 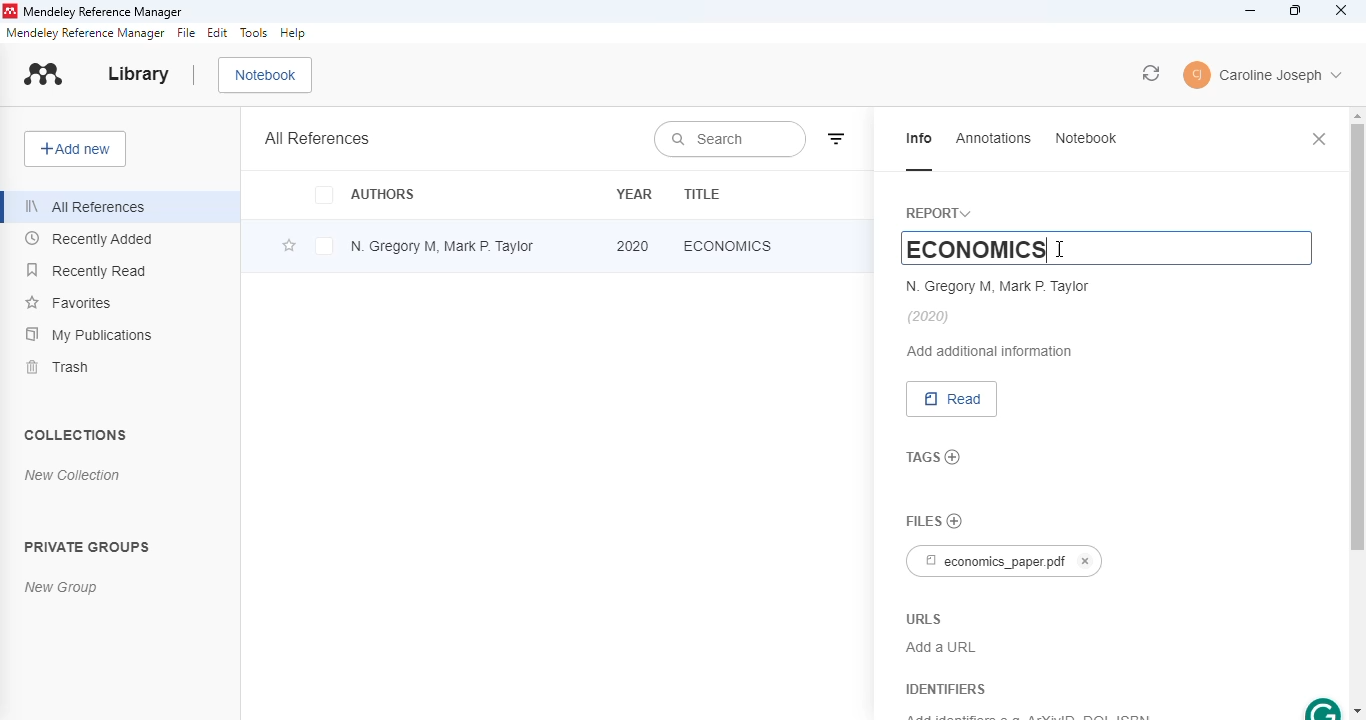 What do you see at coordinates (992, 351) in the screenshot?
I see `add additional information` at bounding box center [992, 351].